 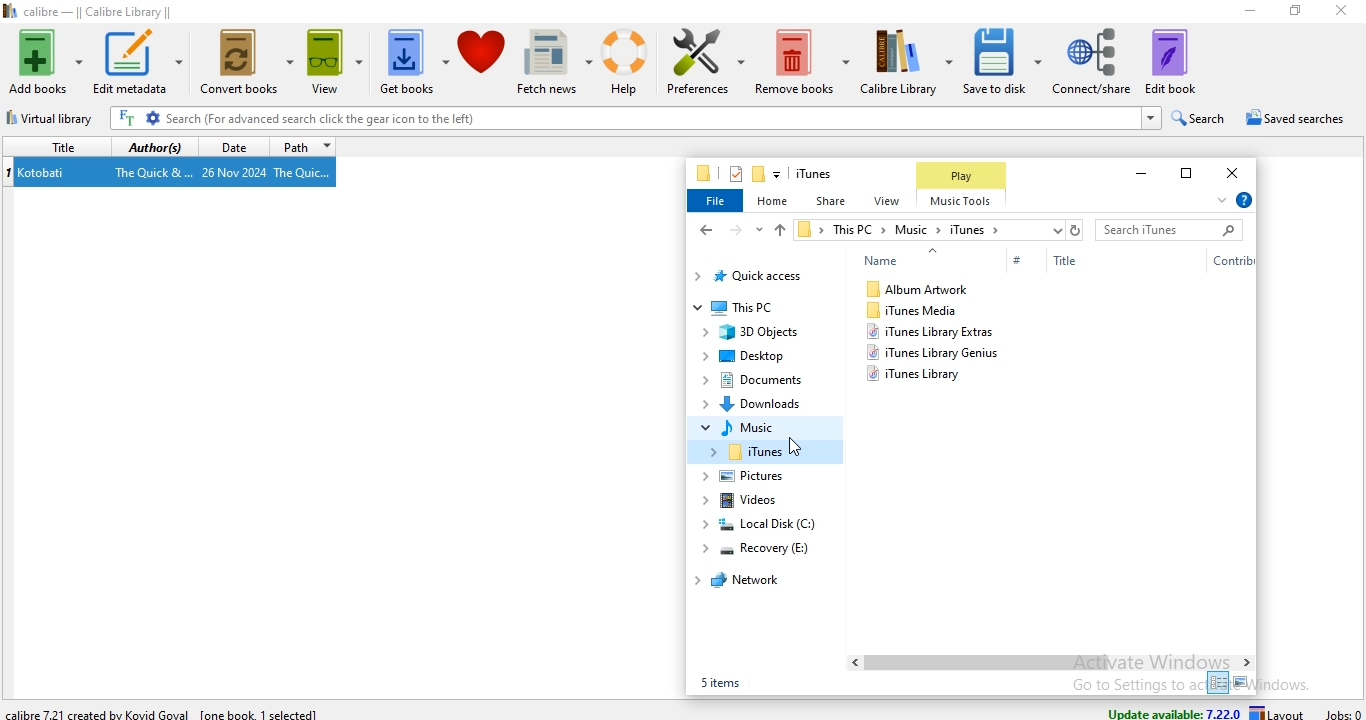 What do you see at coordinates (1281, 712) in the screenshot?
I see `layout` at bounding box center [1281, 712].